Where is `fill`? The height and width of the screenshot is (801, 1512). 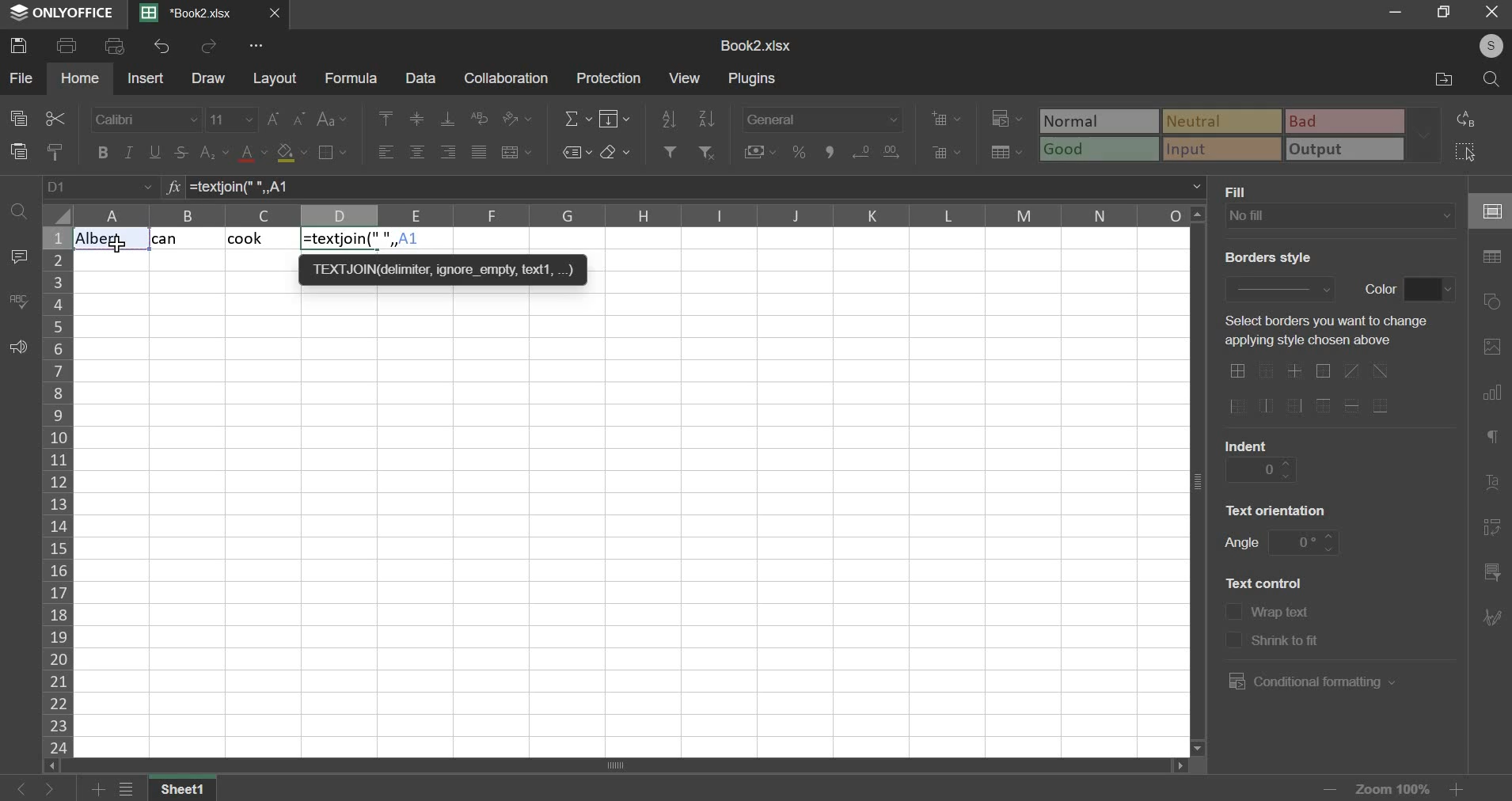
fill is located at coordinates (616, 118).